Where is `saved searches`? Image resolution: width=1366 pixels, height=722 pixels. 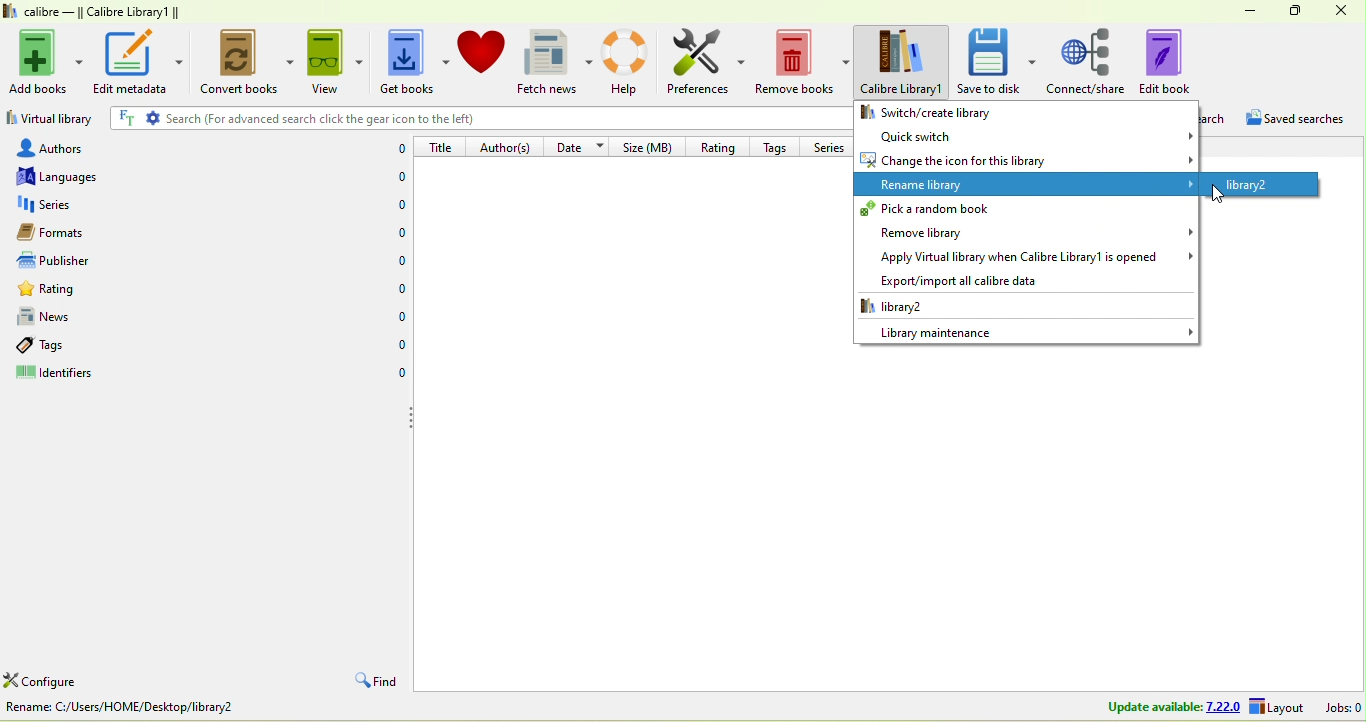
saved searches is located at coordinates (1303, 121).